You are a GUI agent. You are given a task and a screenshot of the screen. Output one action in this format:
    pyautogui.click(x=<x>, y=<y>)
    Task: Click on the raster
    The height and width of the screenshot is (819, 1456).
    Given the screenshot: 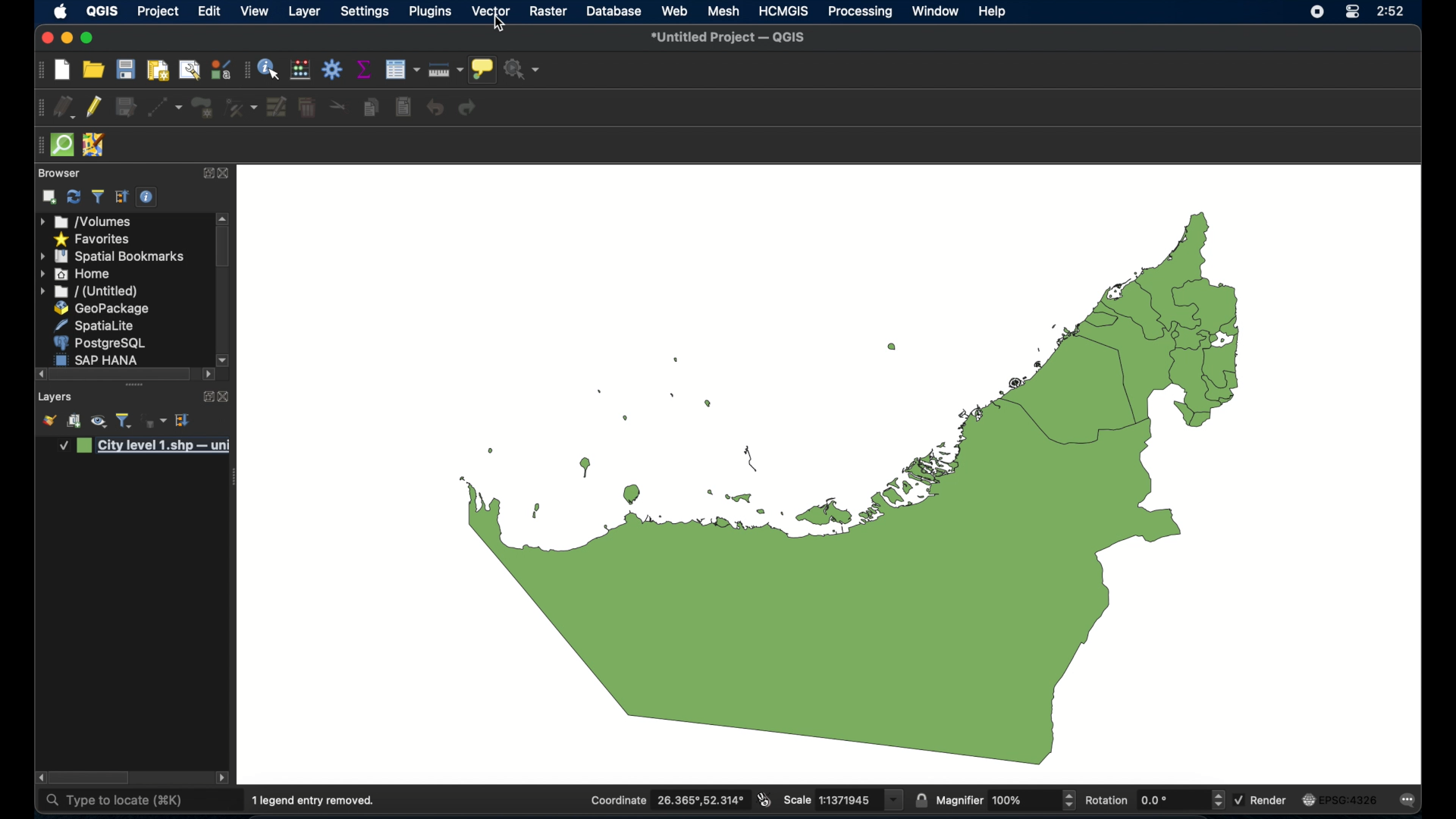 What is the action you would take?
    pyautogui.click(x=548, y=11)
    